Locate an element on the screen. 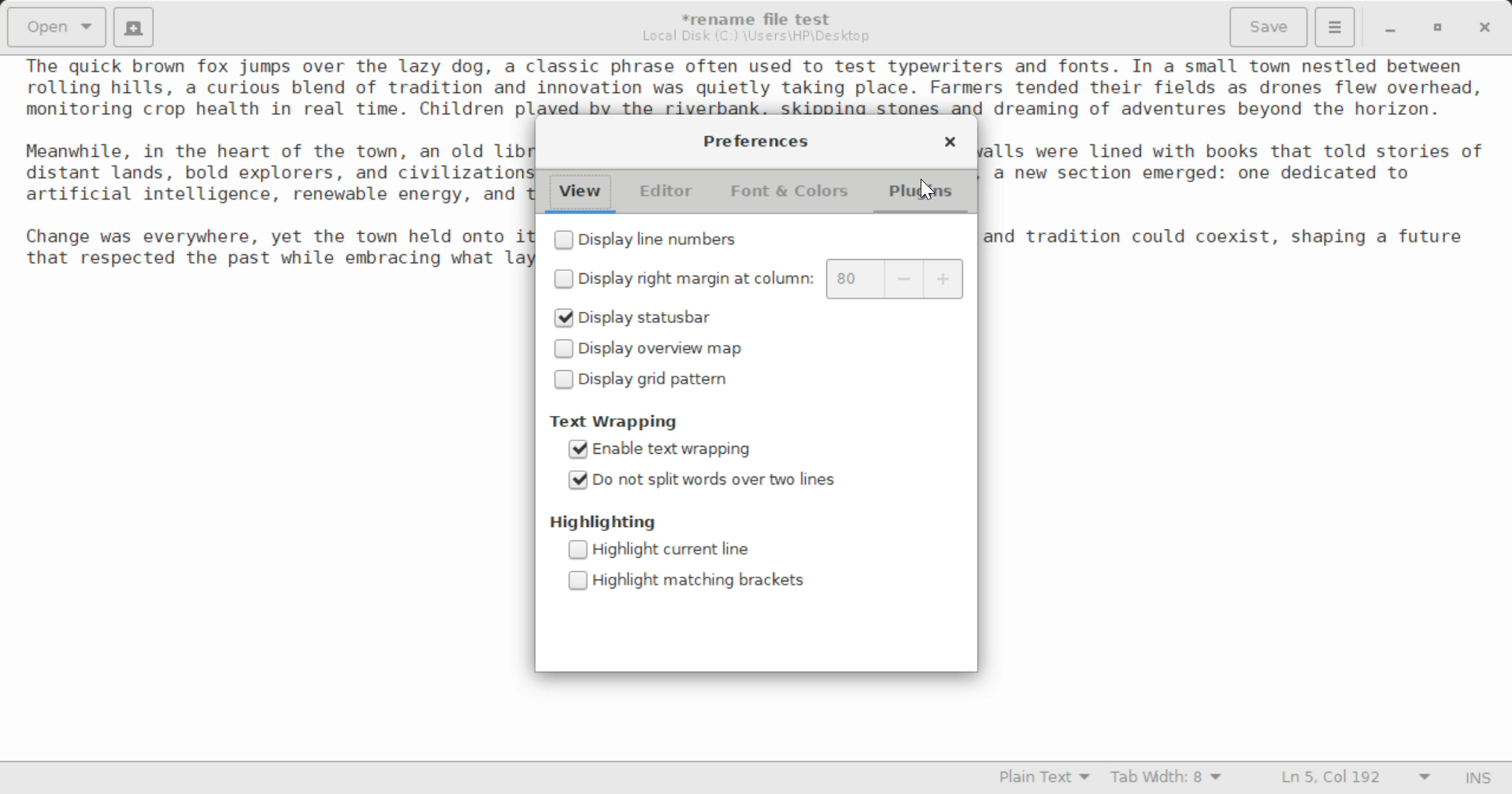 This screenshot has width=1512, height=794. Tab Width  is located at coordinates (1169, 779).